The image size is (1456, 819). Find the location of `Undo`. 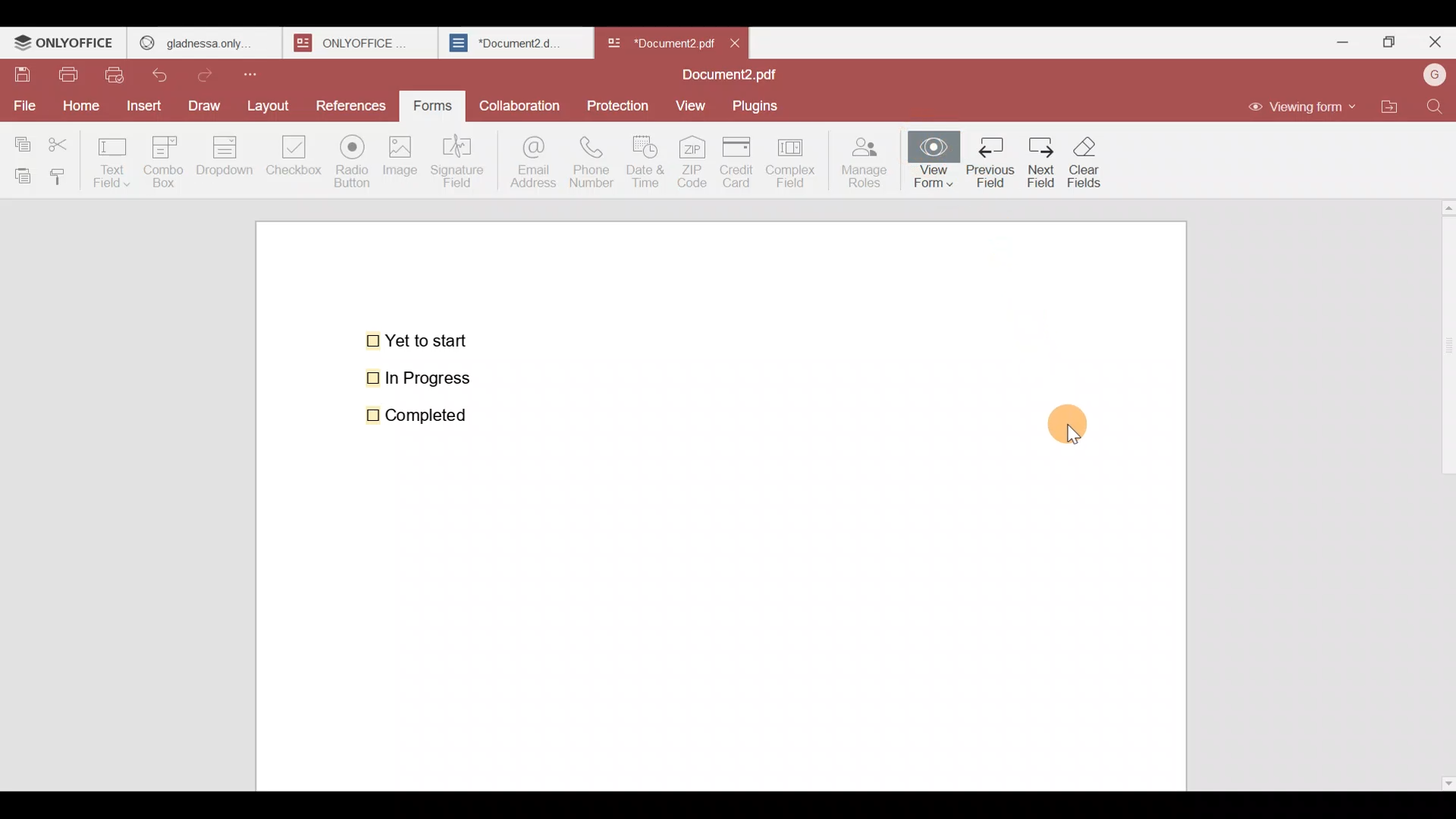

Undo is located at coordinates (167, 72).